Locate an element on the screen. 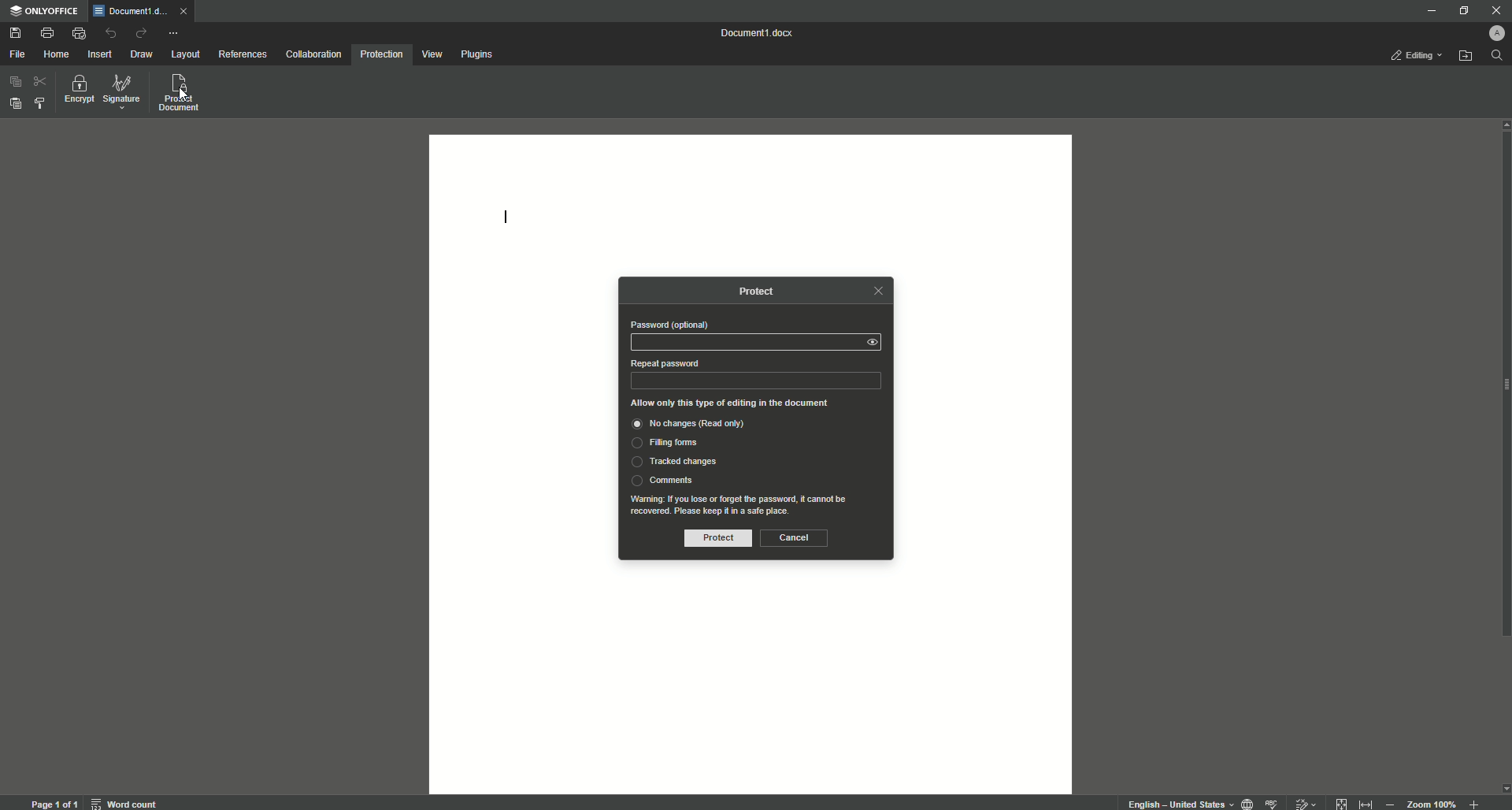 The height and width of the screenshot is (810, 1512). Zoom in is located at coordinates (1472, 803).